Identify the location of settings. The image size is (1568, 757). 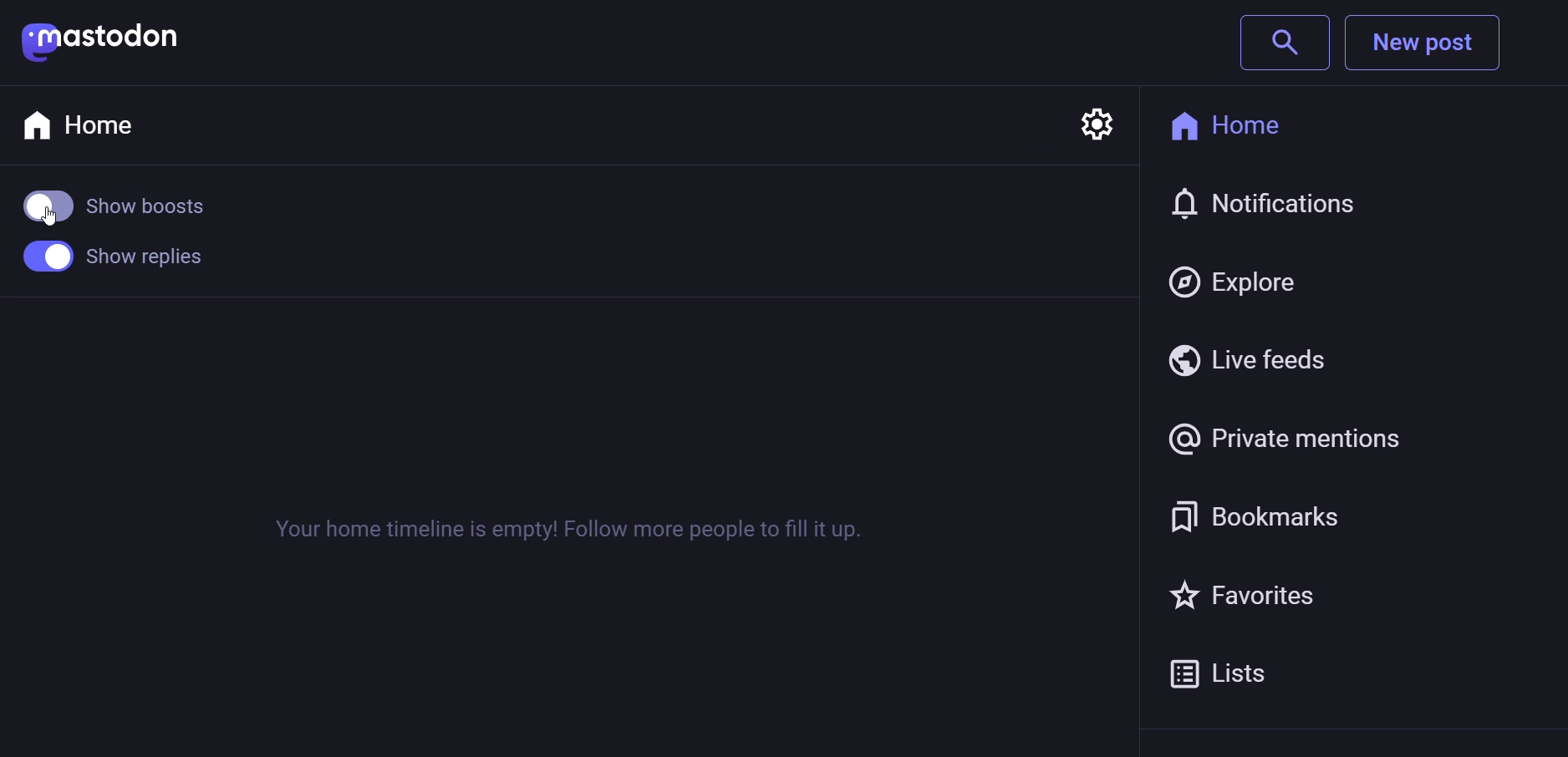
(1097, 119).